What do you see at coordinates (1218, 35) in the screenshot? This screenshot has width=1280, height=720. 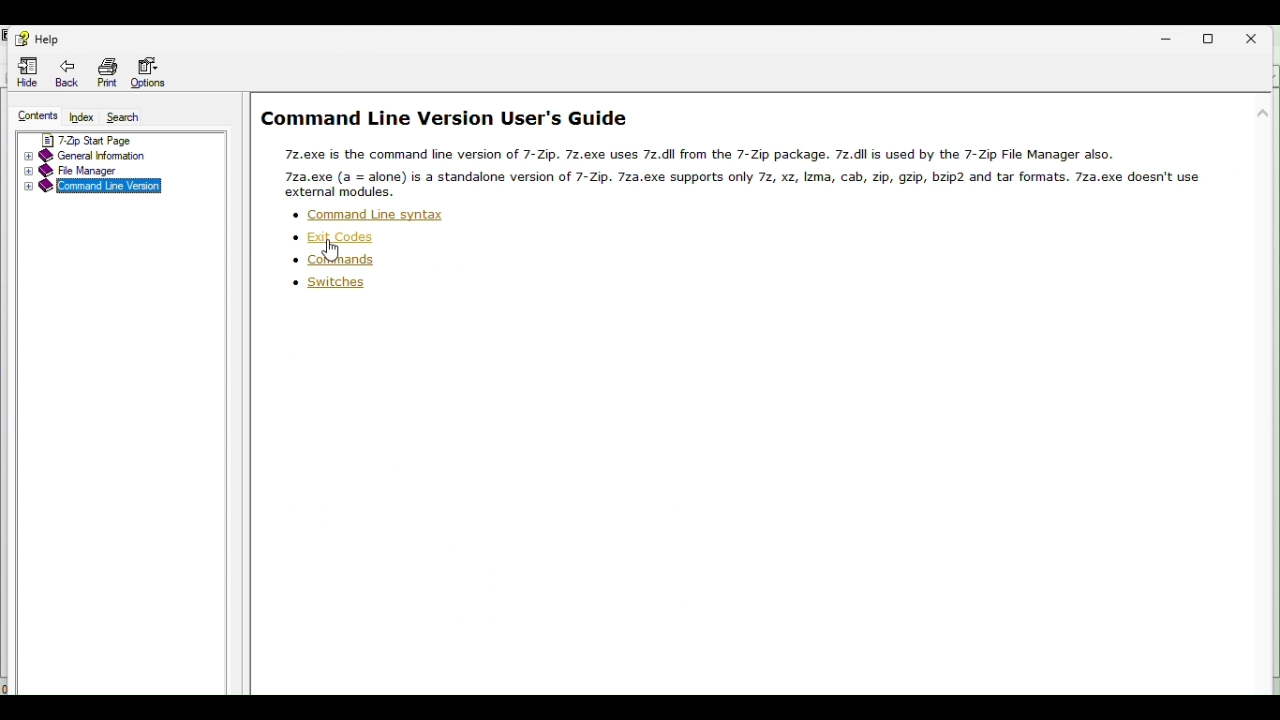 I see `restore` at bounding box center [1218, 35].